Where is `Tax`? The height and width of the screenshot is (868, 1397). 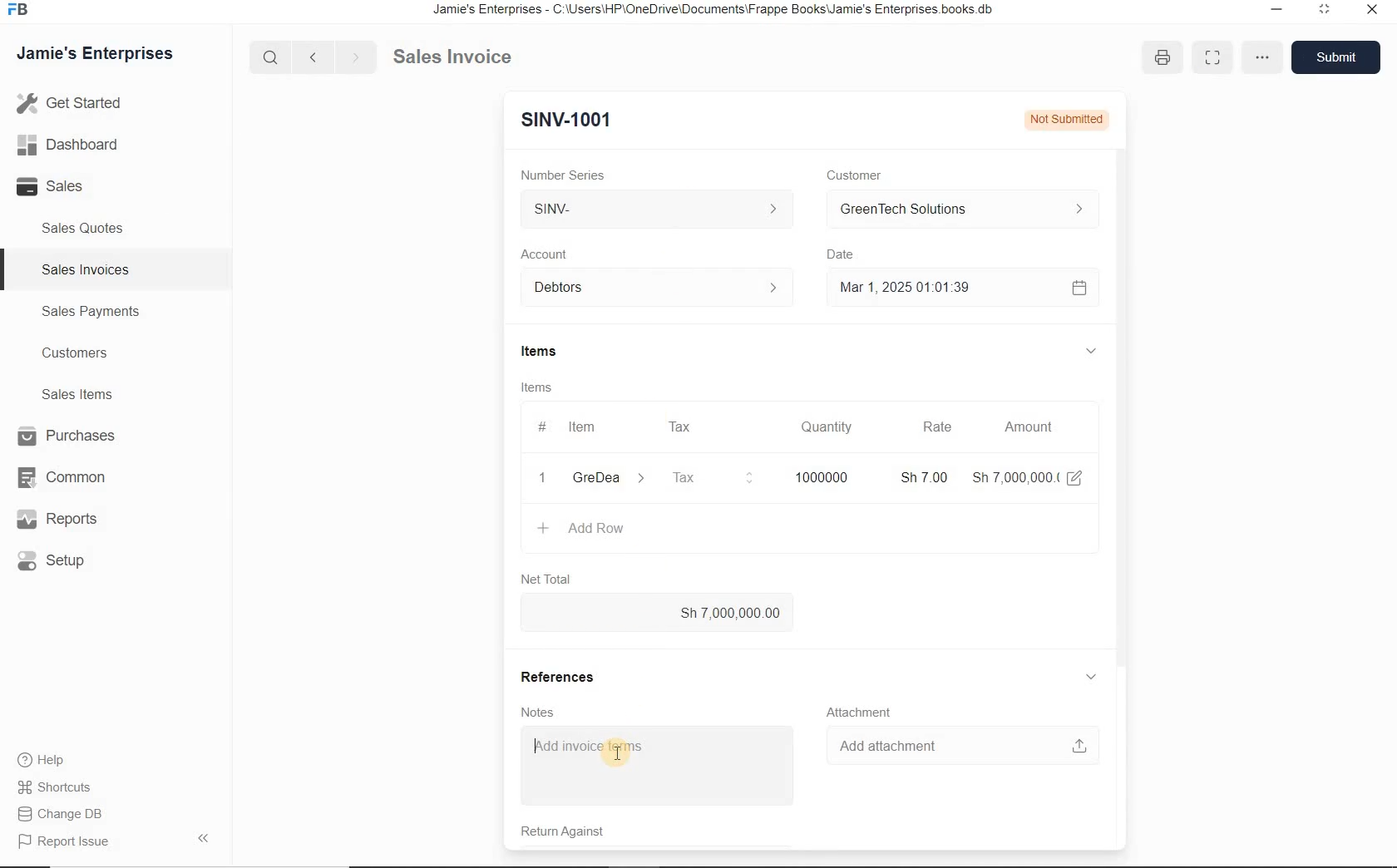 Tax is located at coordinates (711, 476).